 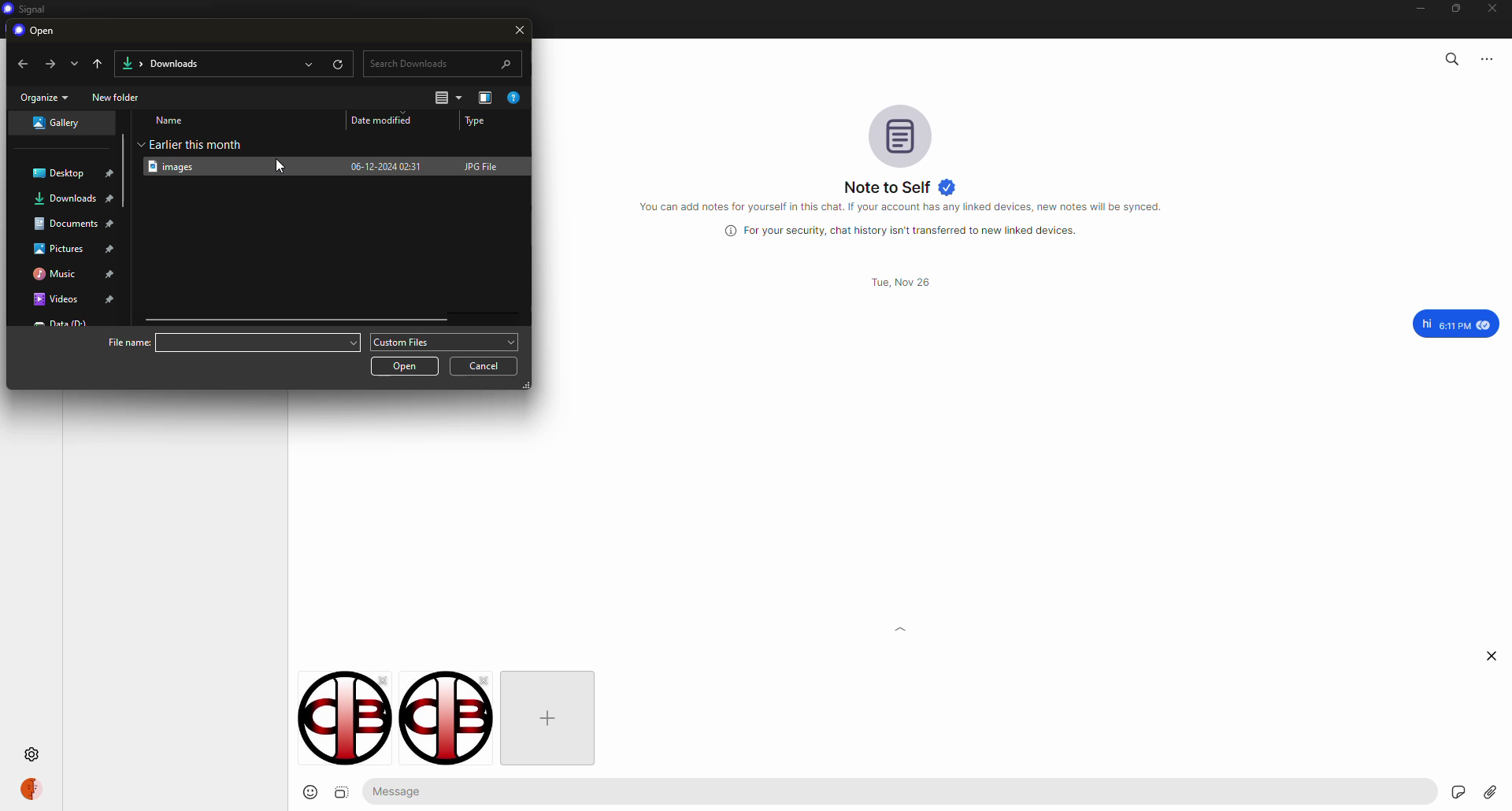 I want to click on message, so click(x=404, y=791).